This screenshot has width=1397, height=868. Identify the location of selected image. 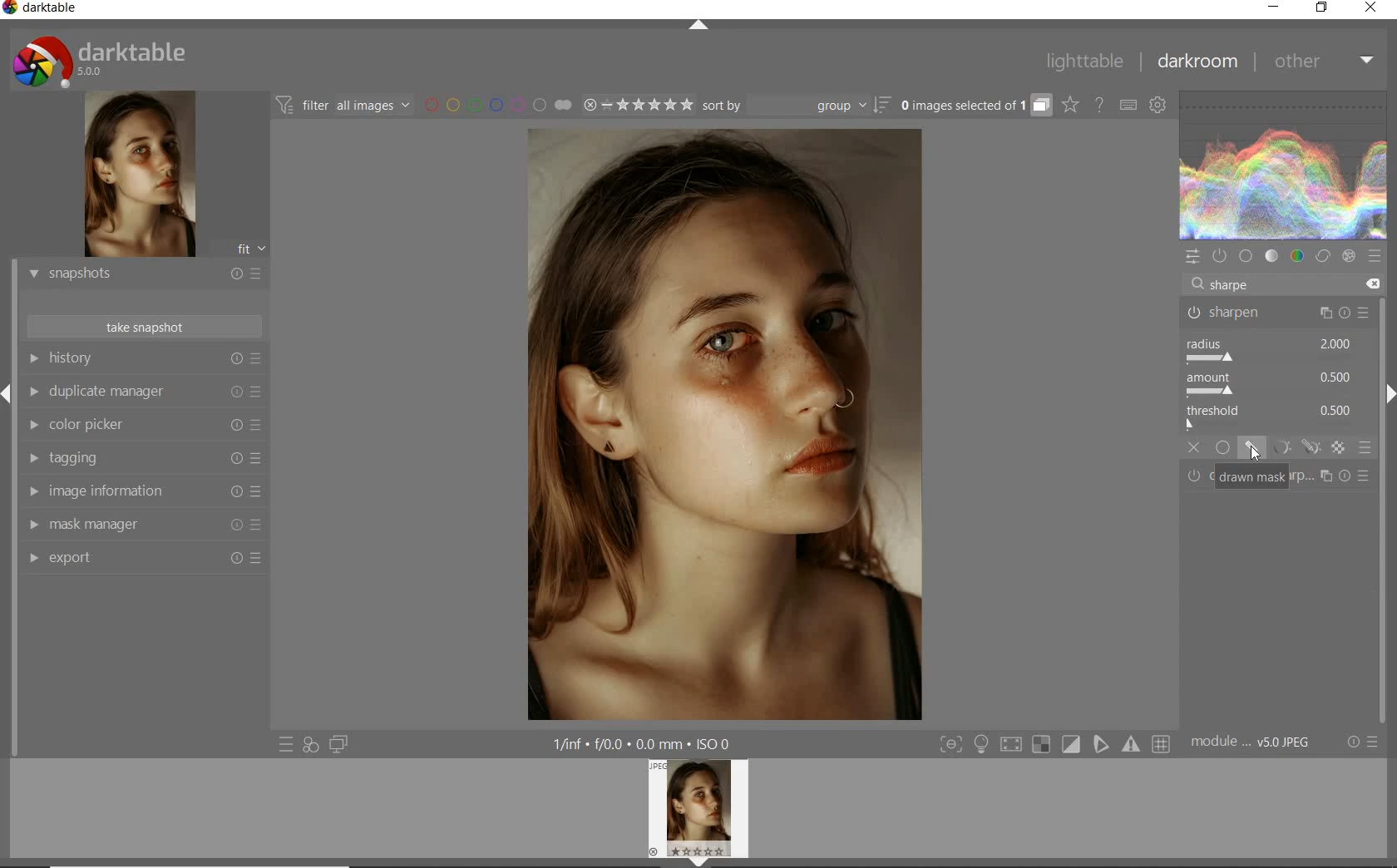
(720, 423).